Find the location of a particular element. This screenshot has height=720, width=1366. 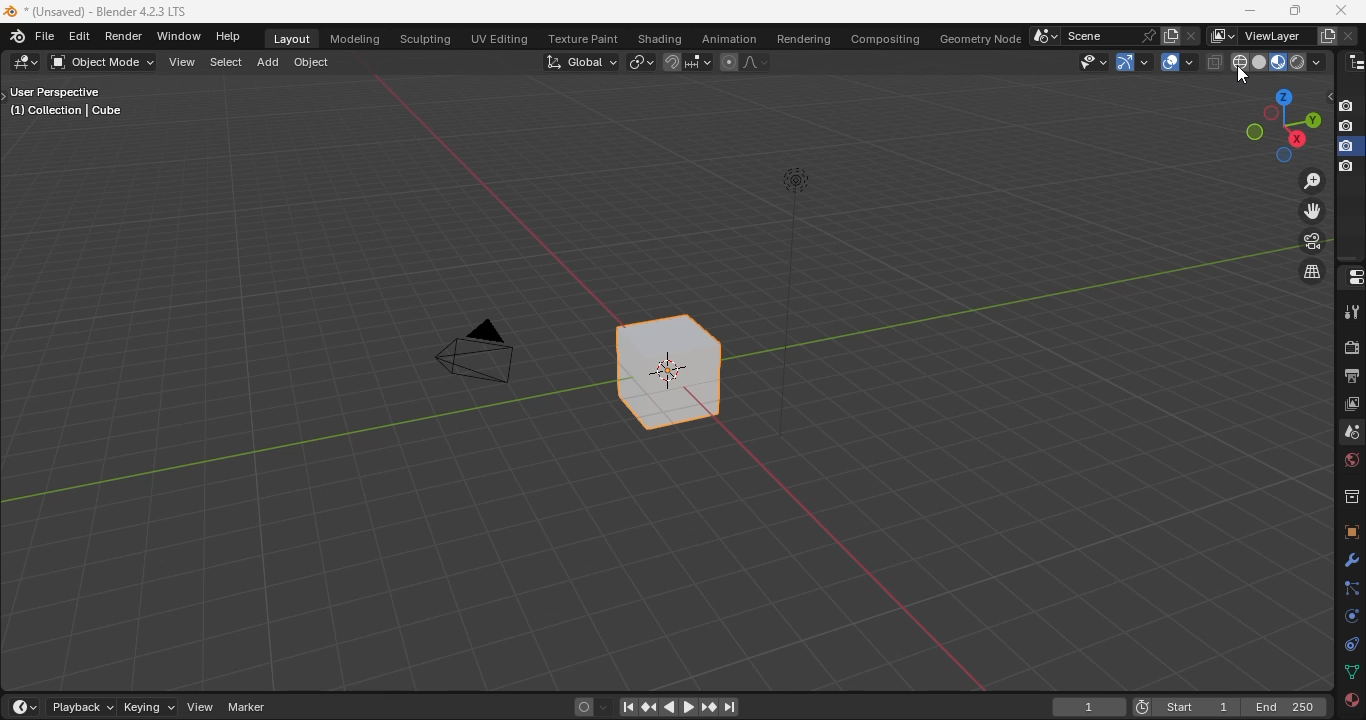

remove view layer is located at coordinates (1349, 37).